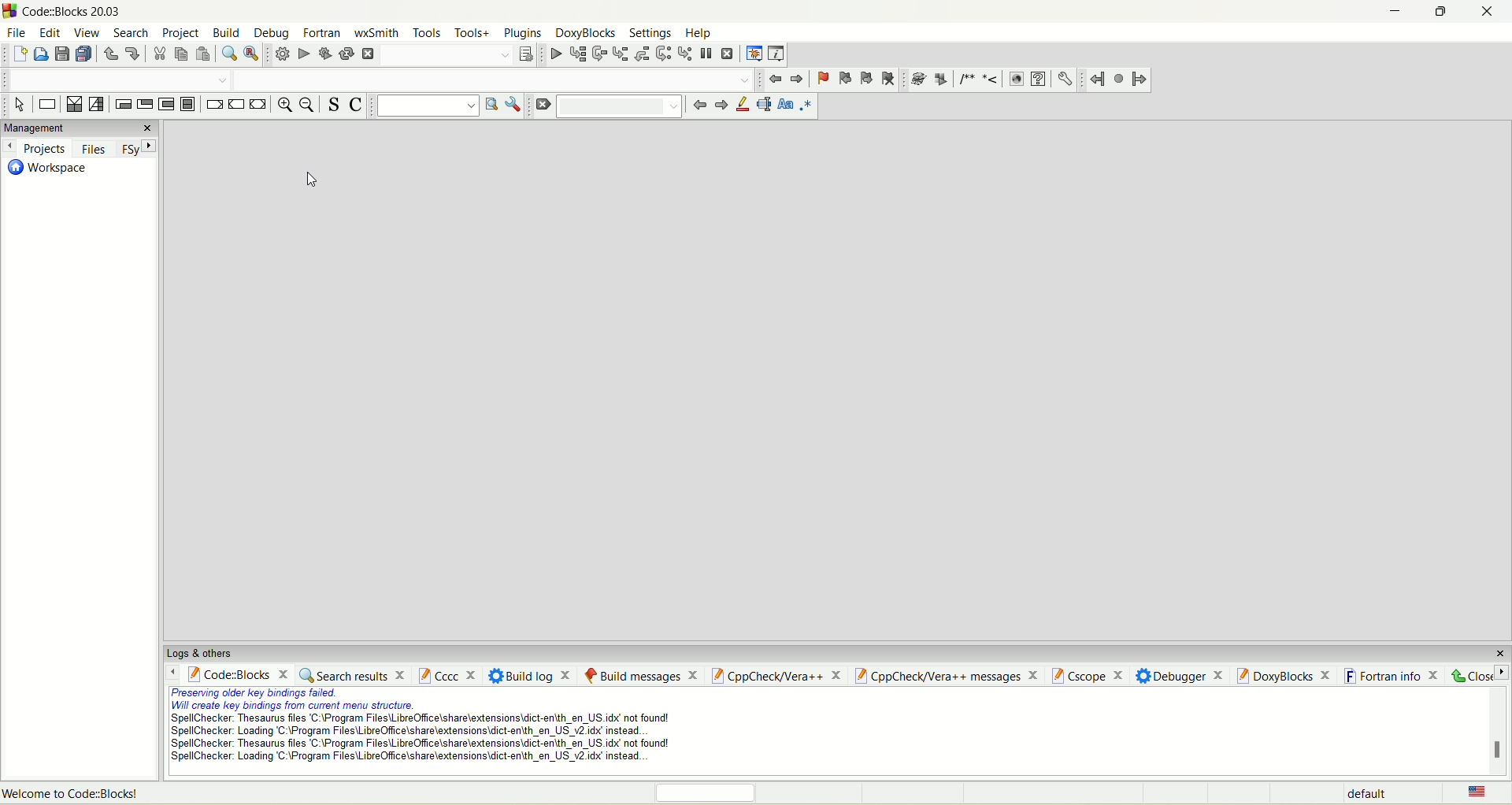 Image resolution: width=1512 pixels, height=805 pixels. Describe the element at coordinates (368, 54) in the screenshot. I see `abort` at that location.